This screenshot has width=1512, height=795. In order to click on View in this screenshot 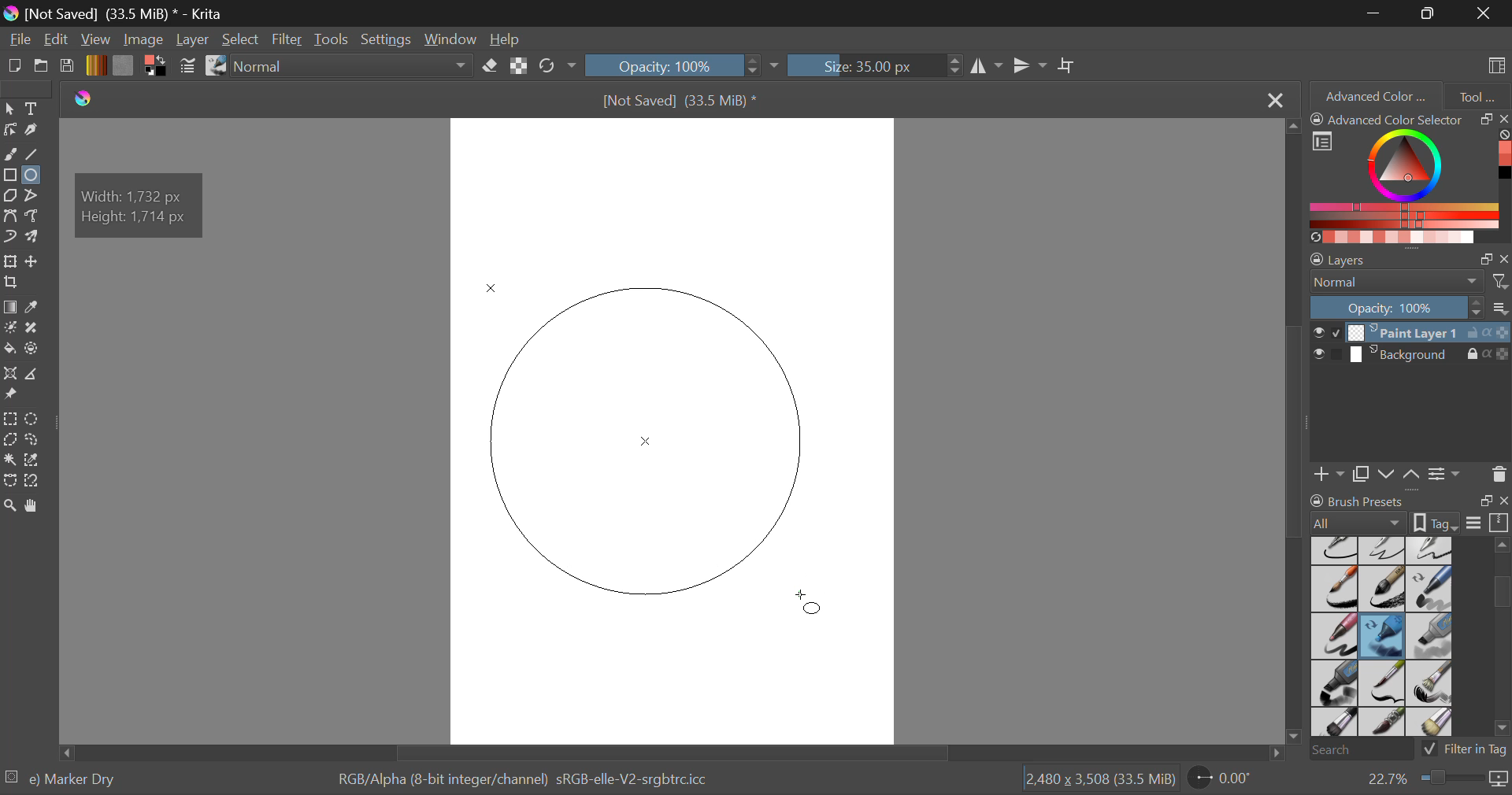, I will do `click(98, 40)`.